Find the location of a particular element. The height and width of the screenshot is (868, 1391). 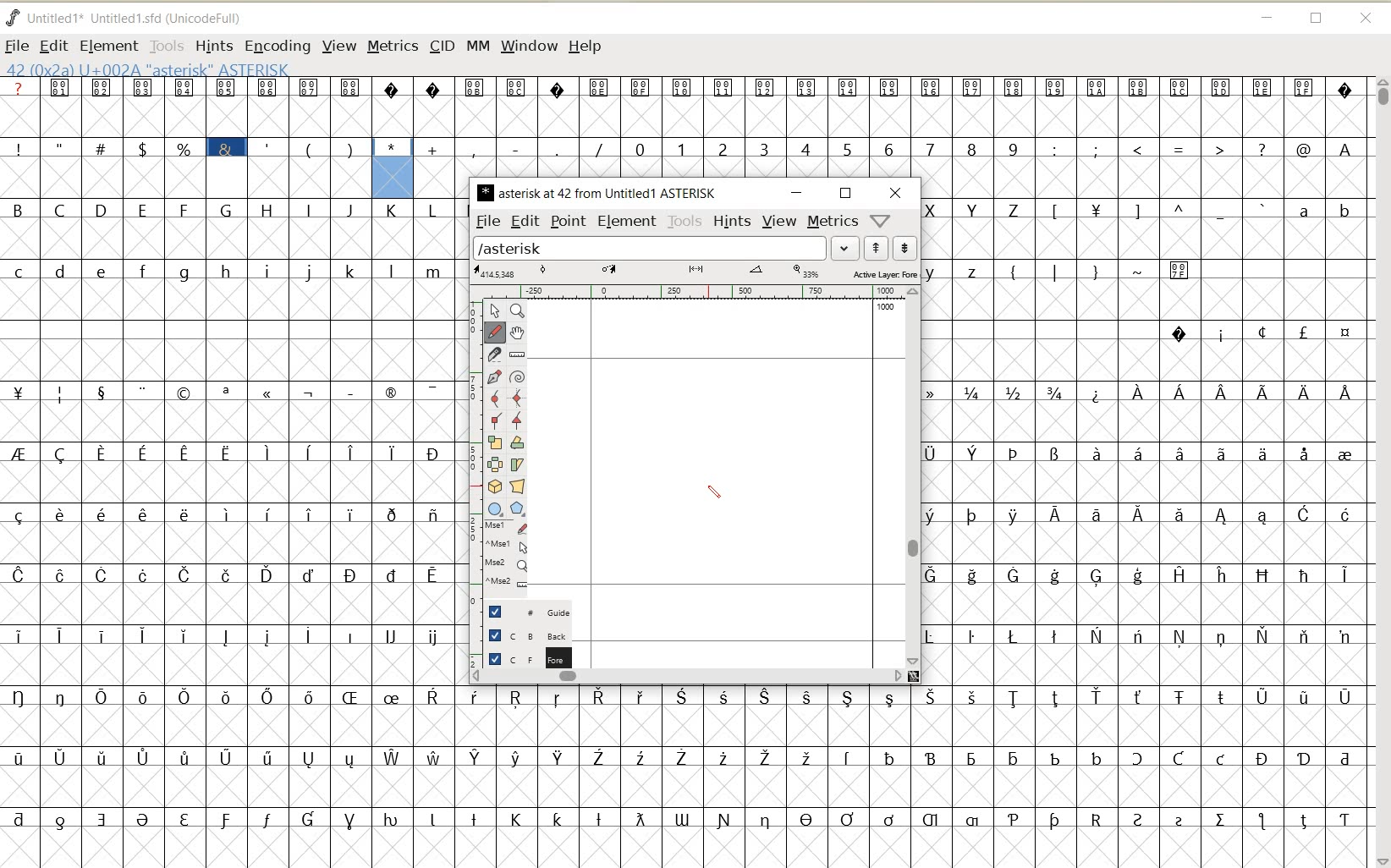

MINIMIZE is located at coordinates (1267, 18).